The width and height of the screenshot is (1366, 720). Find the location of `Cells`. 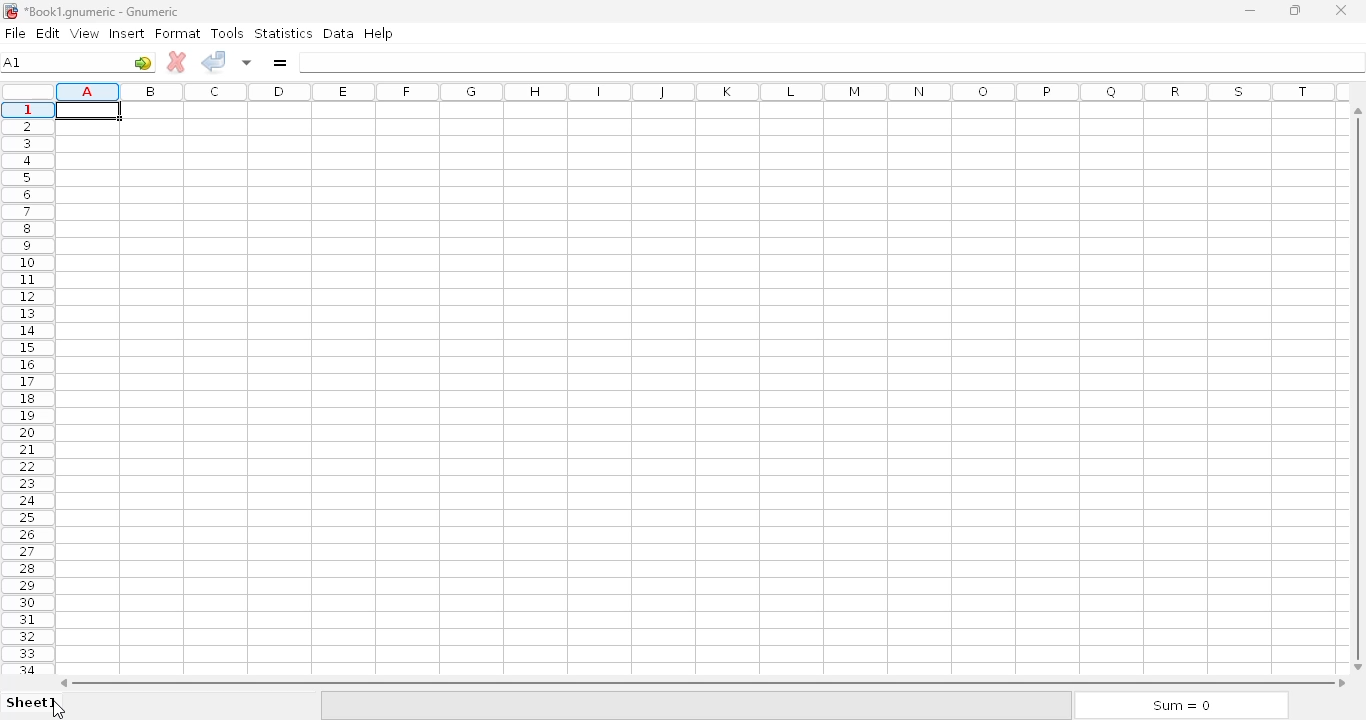

Cells is located at coordinates (696, 391).